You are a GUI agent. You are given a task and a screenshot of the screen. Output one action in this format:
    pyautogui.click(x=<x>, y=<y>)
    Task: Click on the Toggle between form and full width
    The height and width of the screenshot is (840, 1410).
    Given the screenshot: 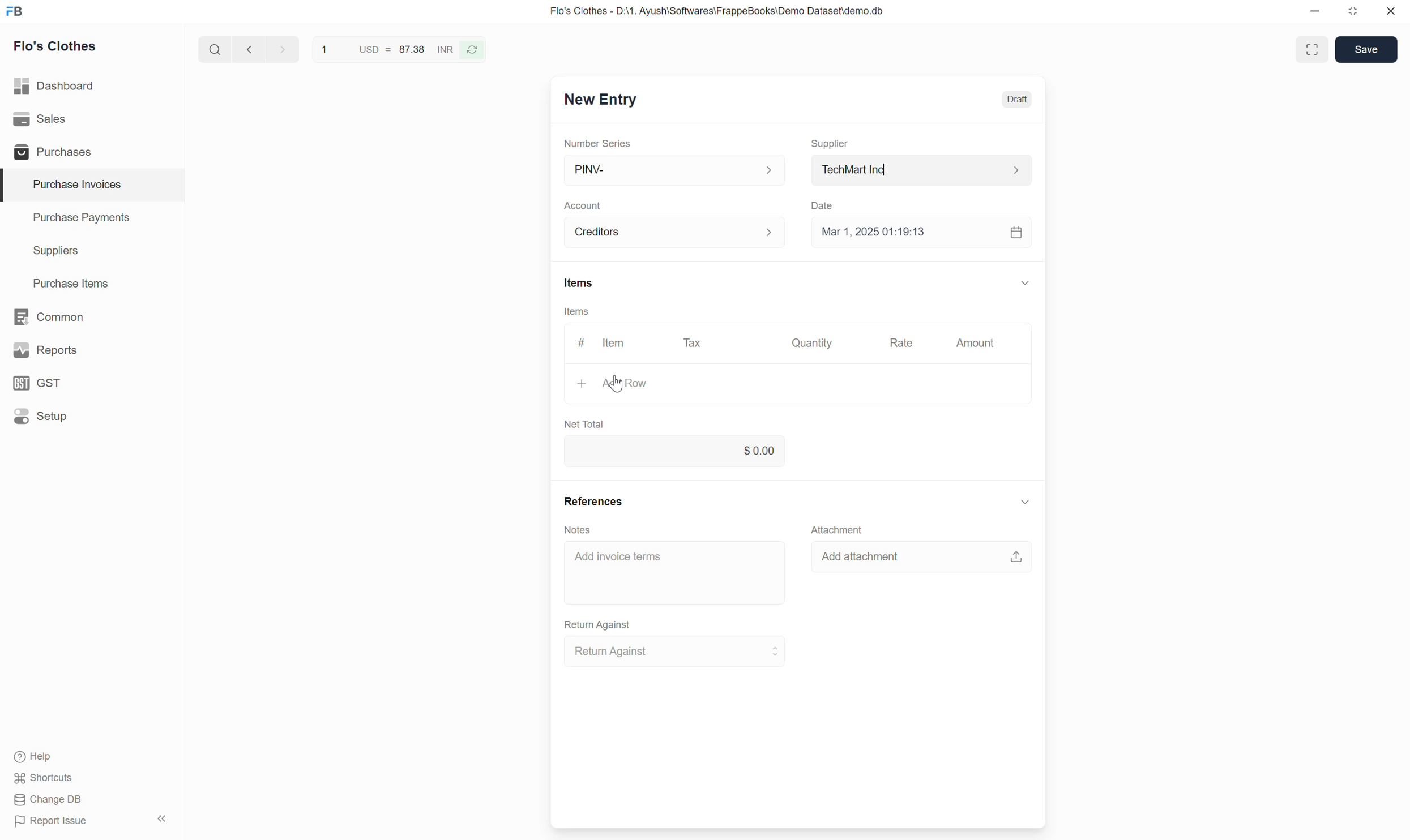 What is the action you would take?
    pyautogui.click(x=1311, y=49)
    